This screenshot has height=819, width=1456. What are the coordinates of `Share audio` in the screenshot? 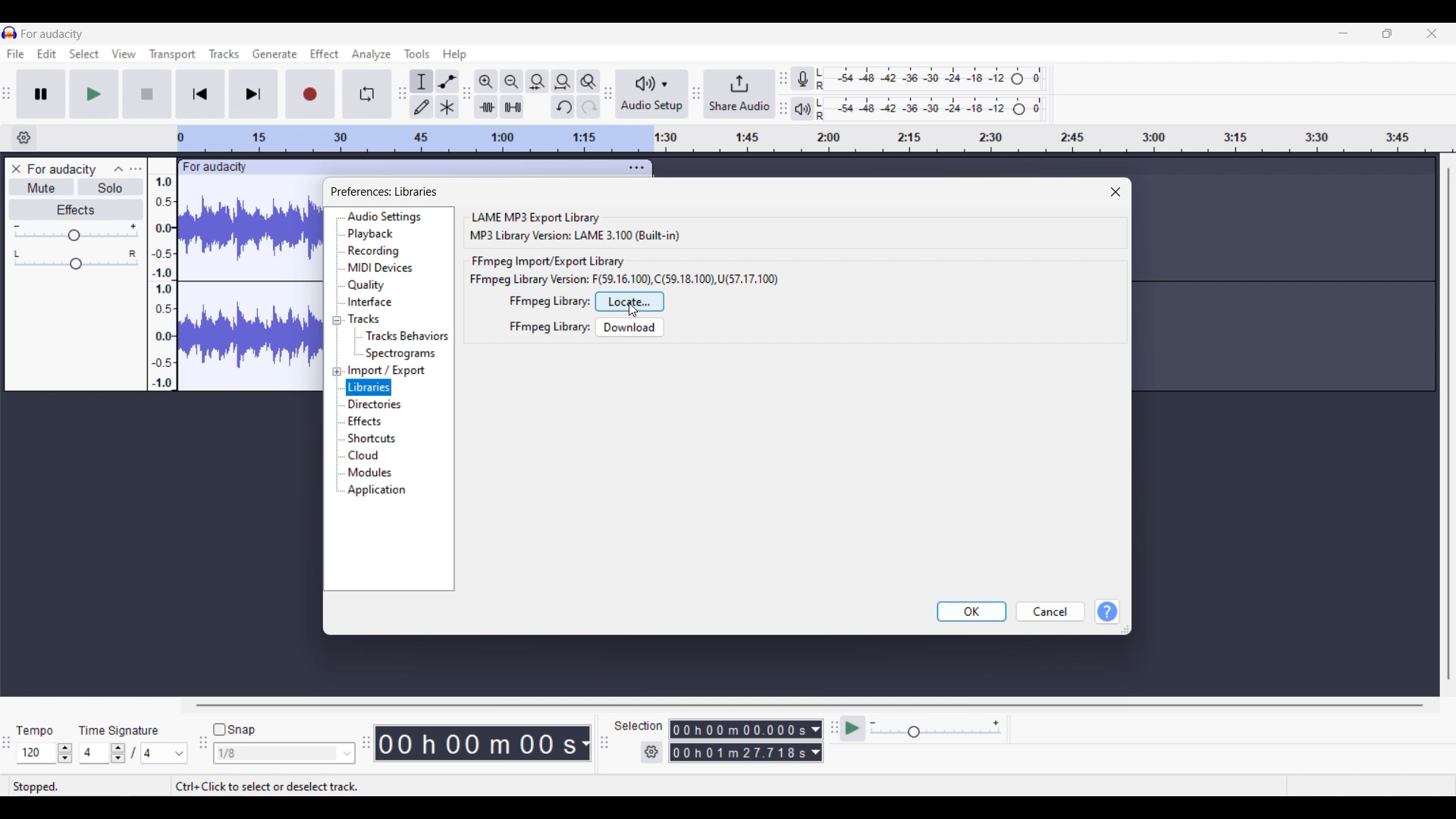 It's located at (740, 94).